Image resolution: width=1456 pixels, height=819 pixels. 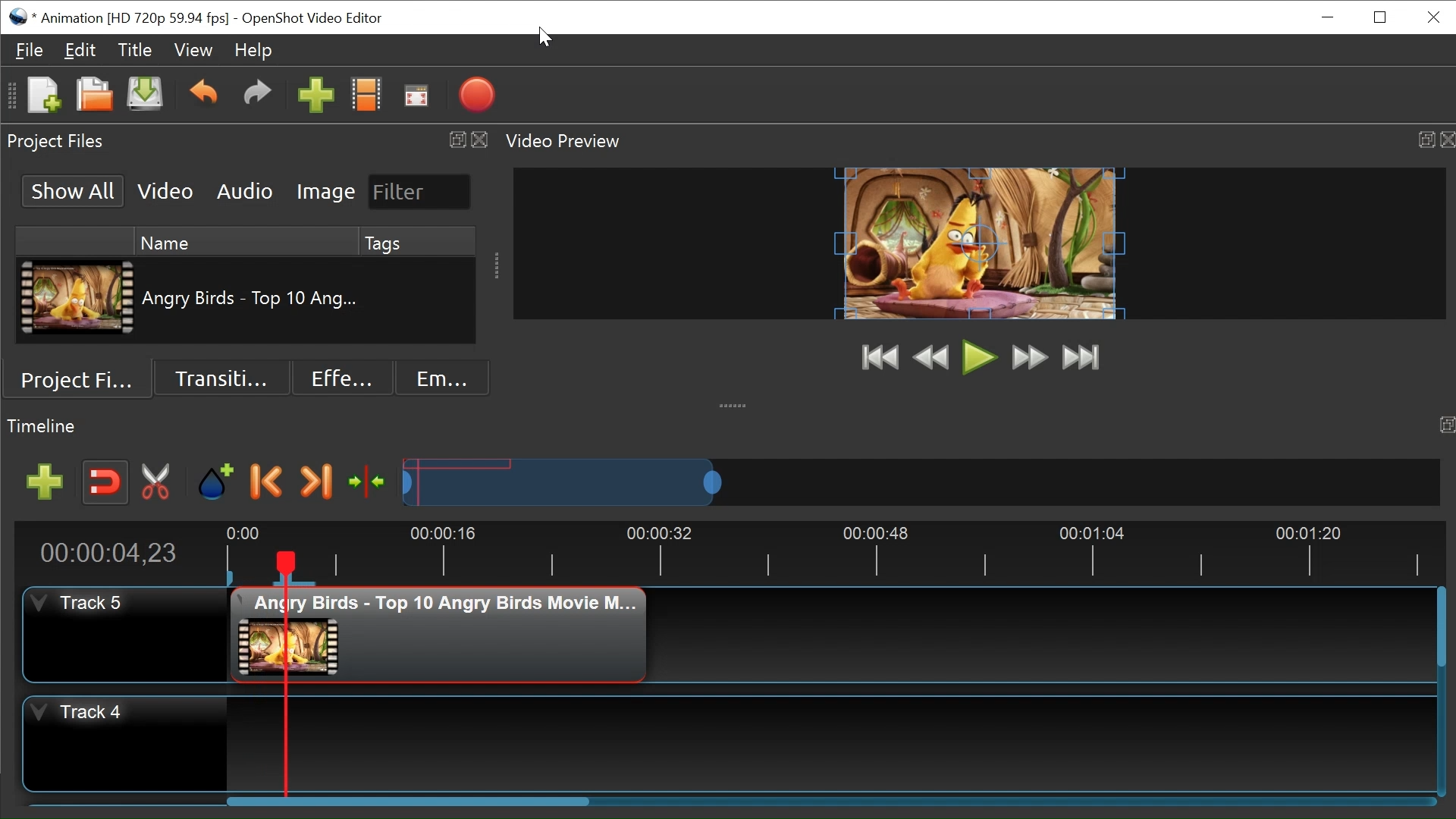 I want to click on Clip, so click(x=80, y=297).